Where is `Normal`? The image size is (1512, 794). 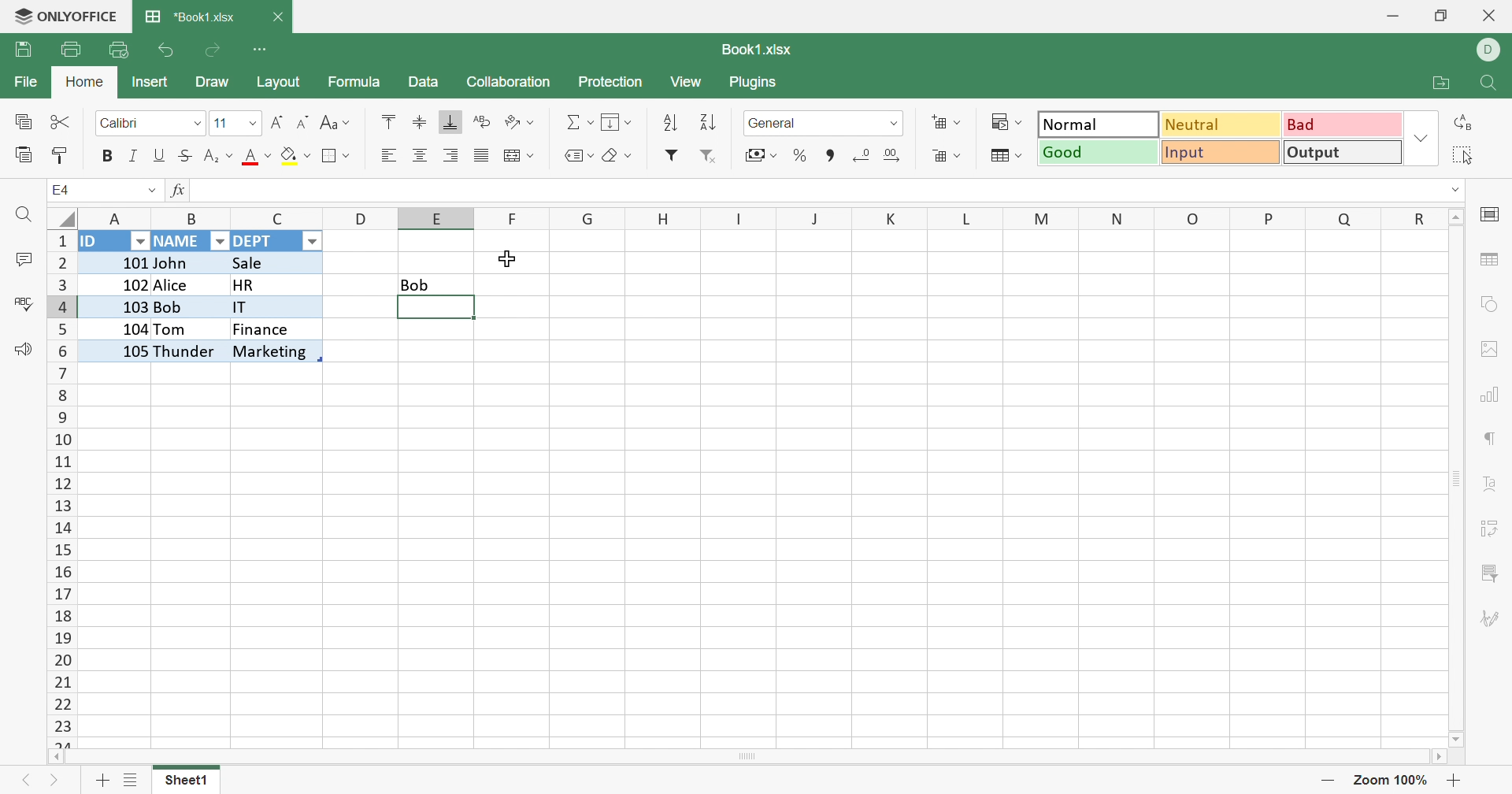 Normal is located at coordinates (1102, 126).